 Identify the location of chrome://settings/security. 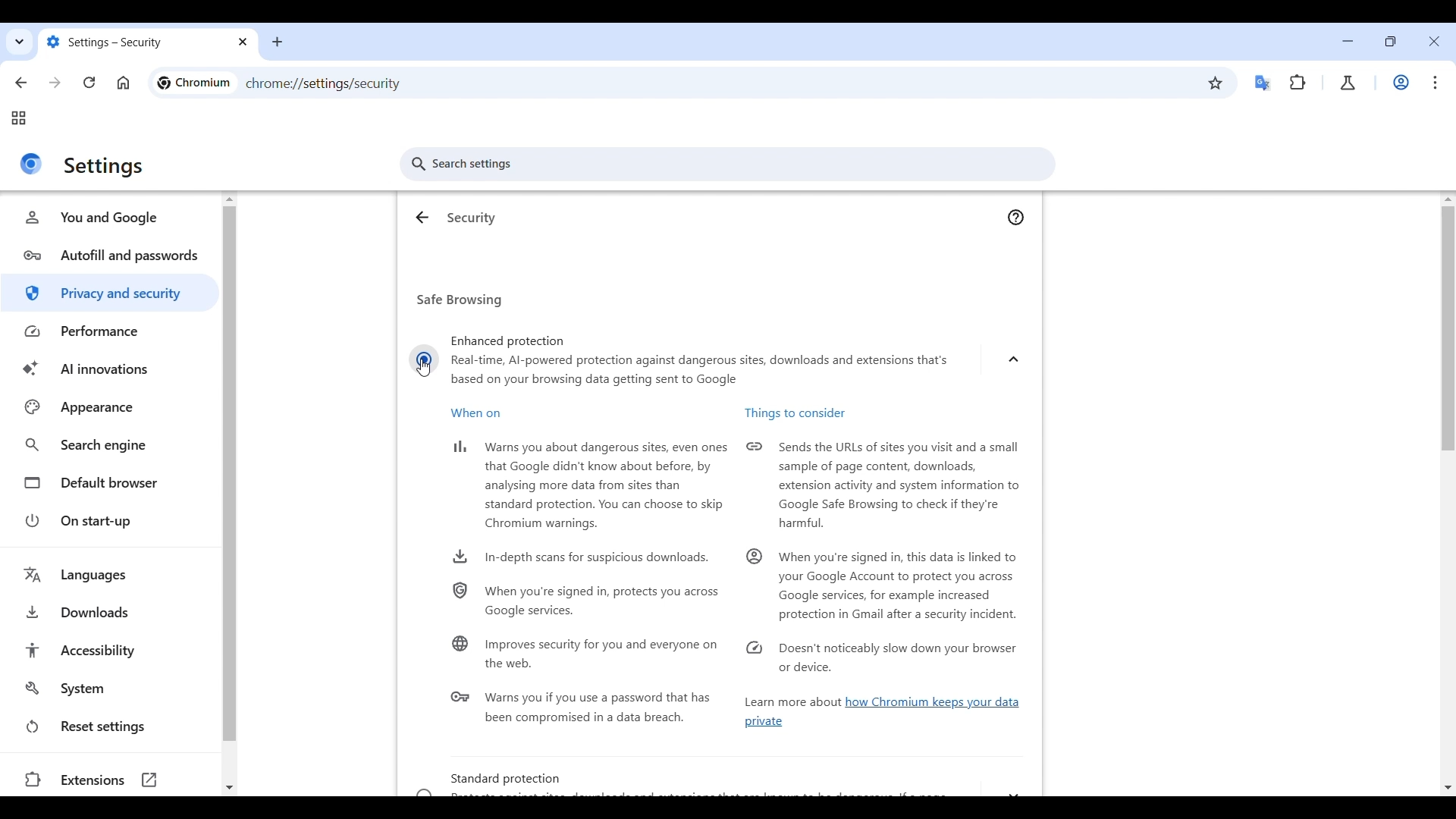
(324, 85).